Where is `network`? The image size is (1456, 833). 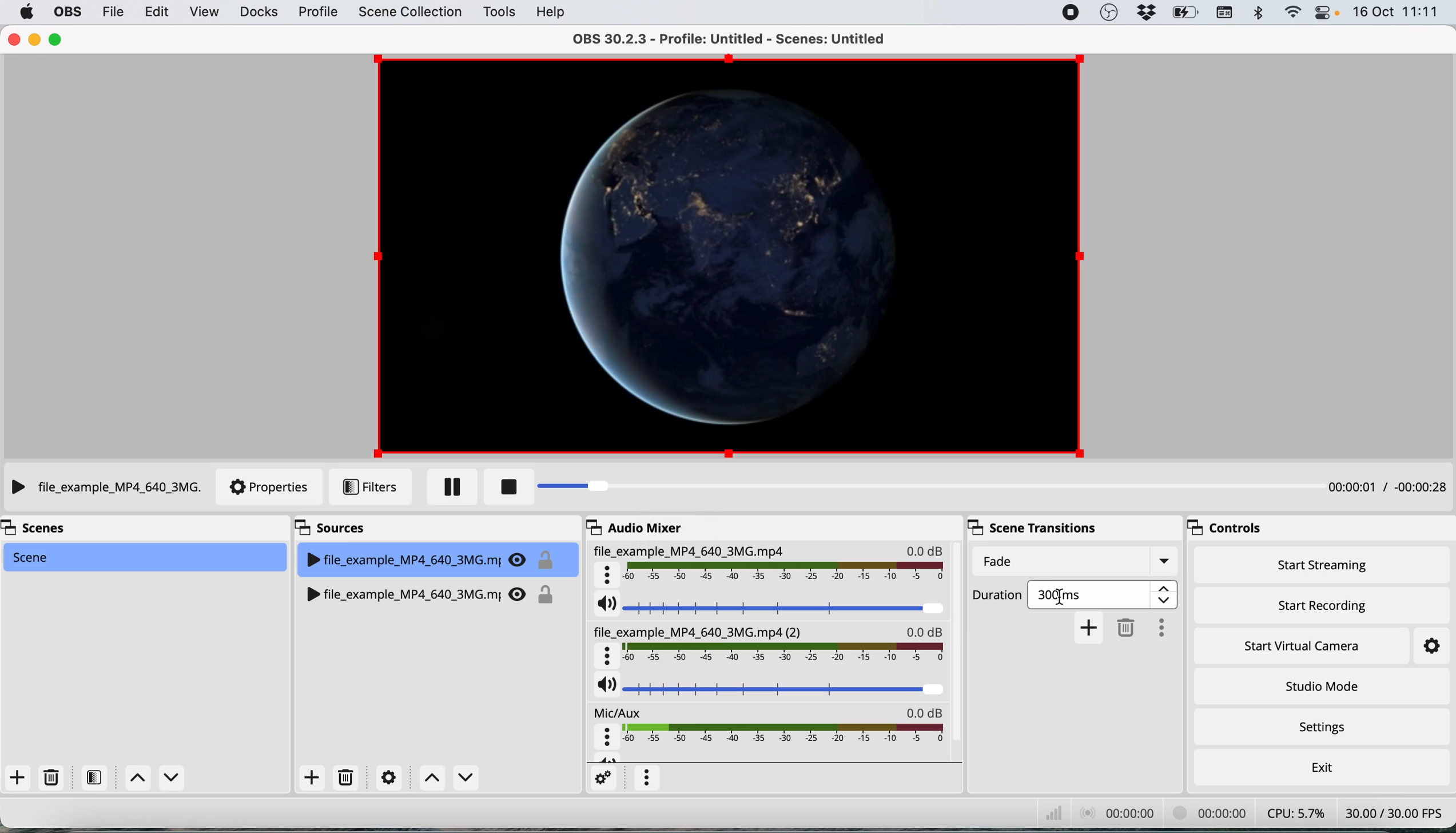
network is located at coordinates (1039, 813).